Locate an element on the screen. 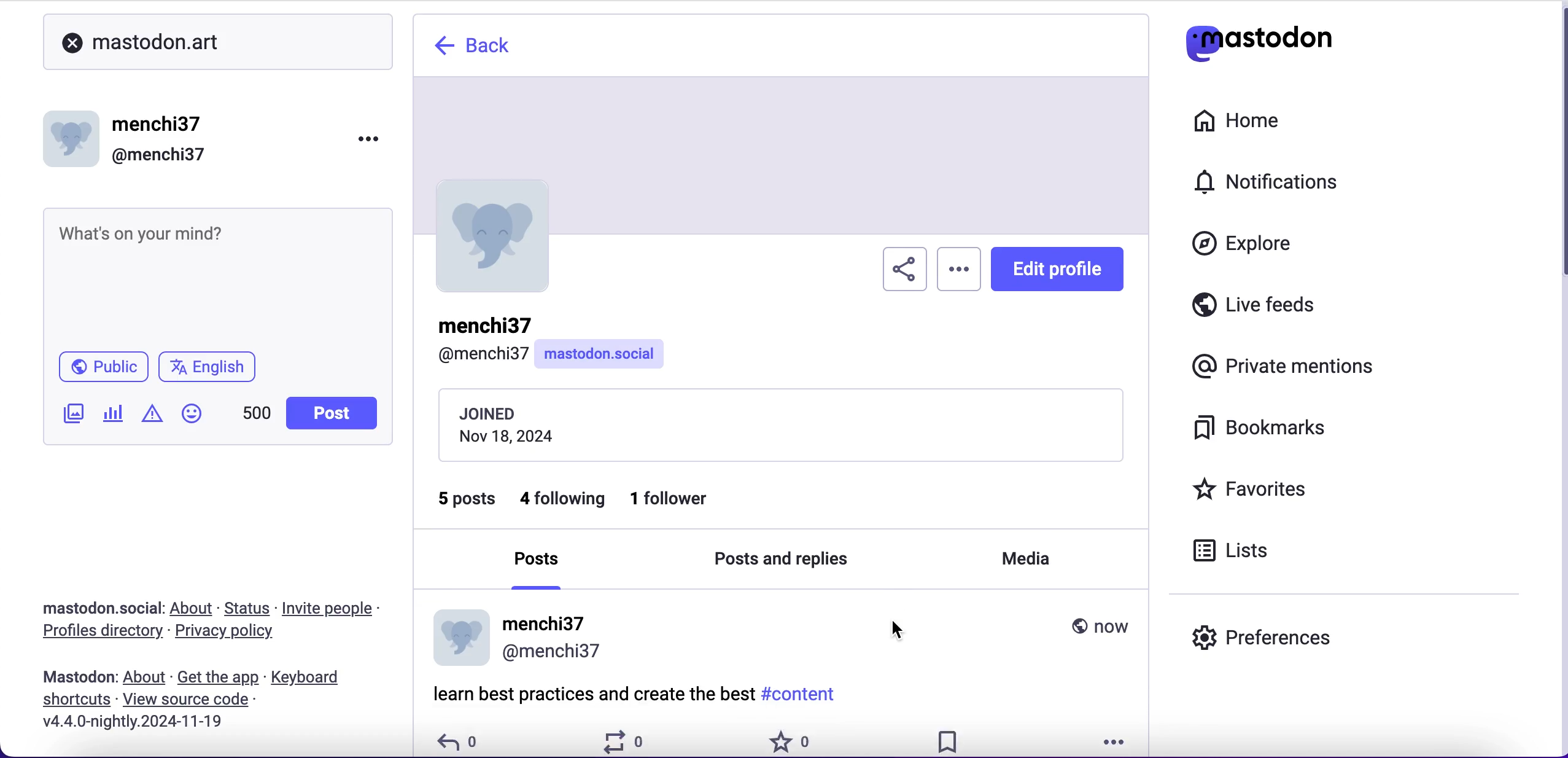  #content is located at coordinates (805, 693).